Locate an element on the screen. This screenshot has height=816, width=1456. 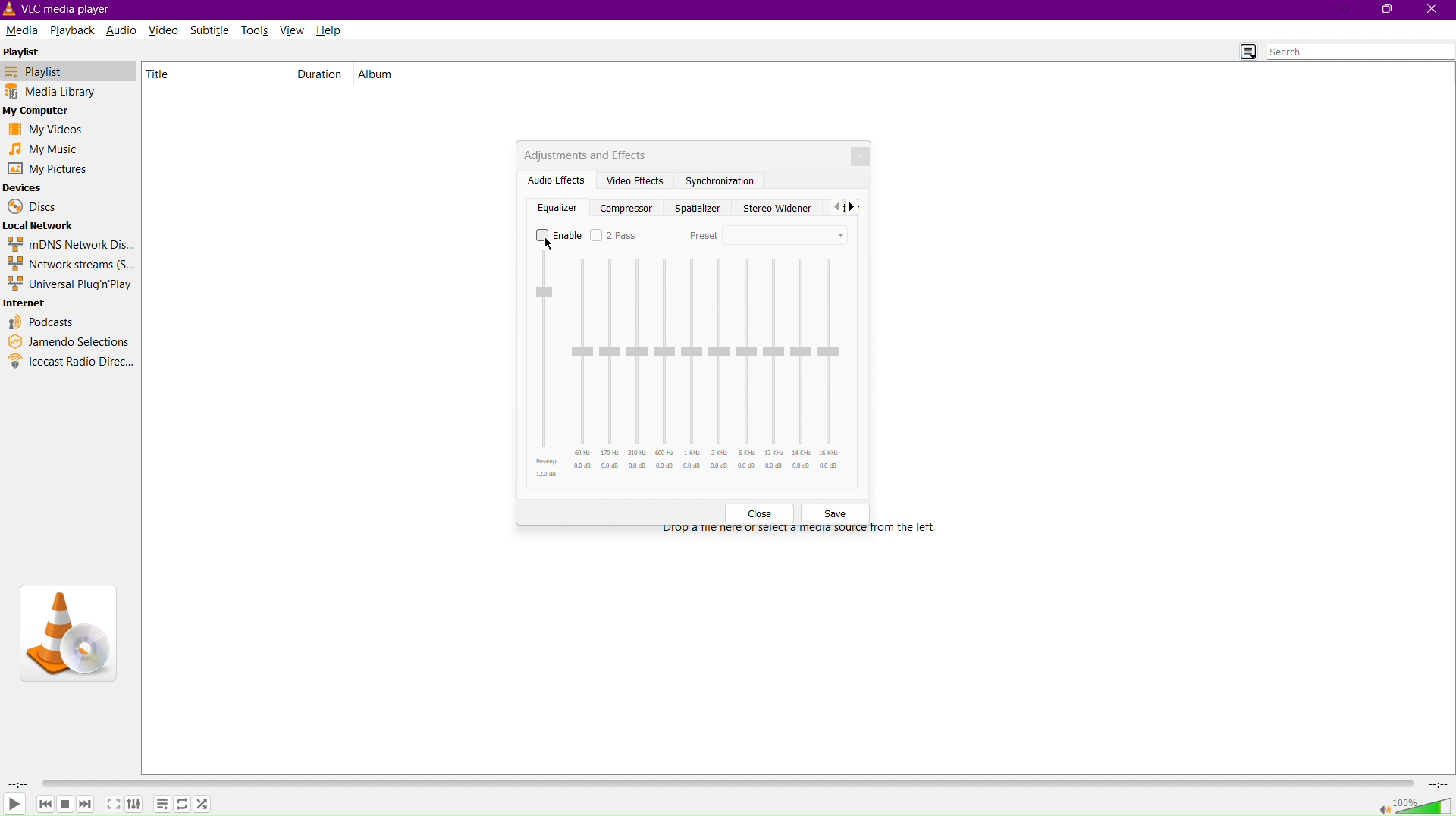
14 KHz is located at coordinates (800, 364).